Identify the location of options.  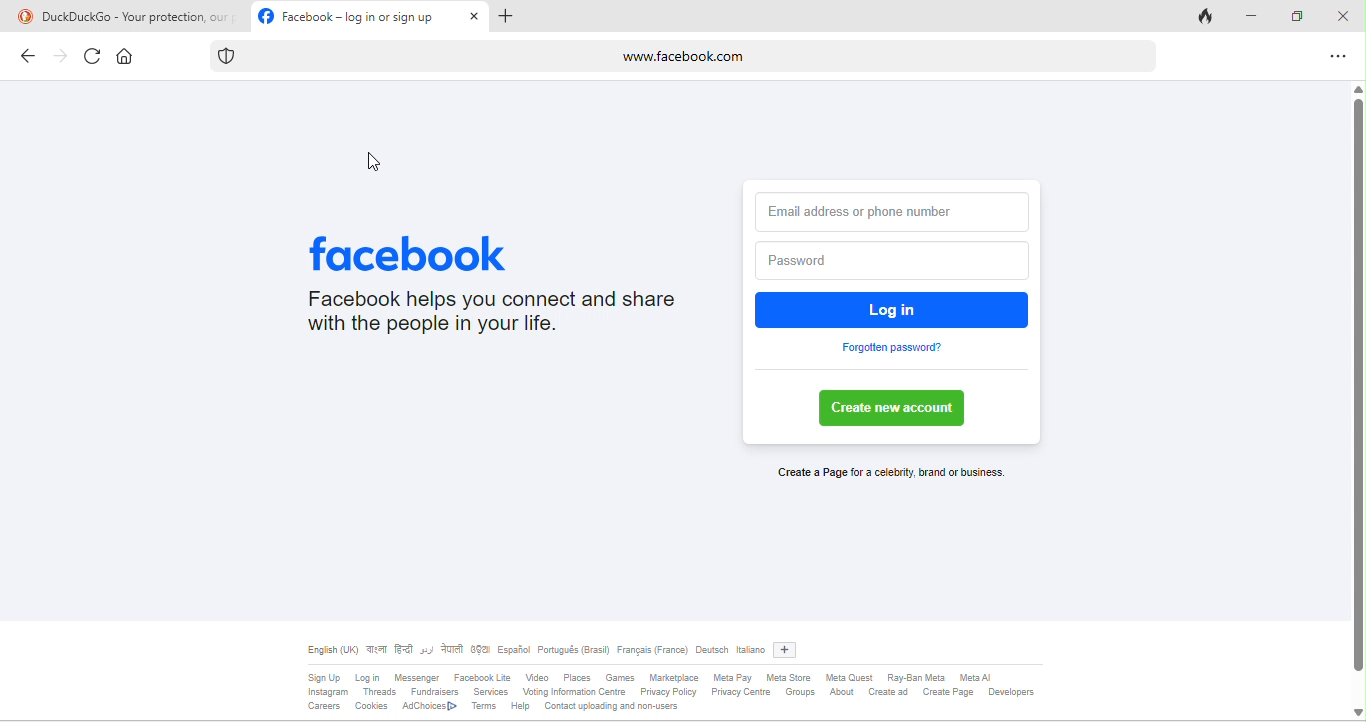
(1334, 58).